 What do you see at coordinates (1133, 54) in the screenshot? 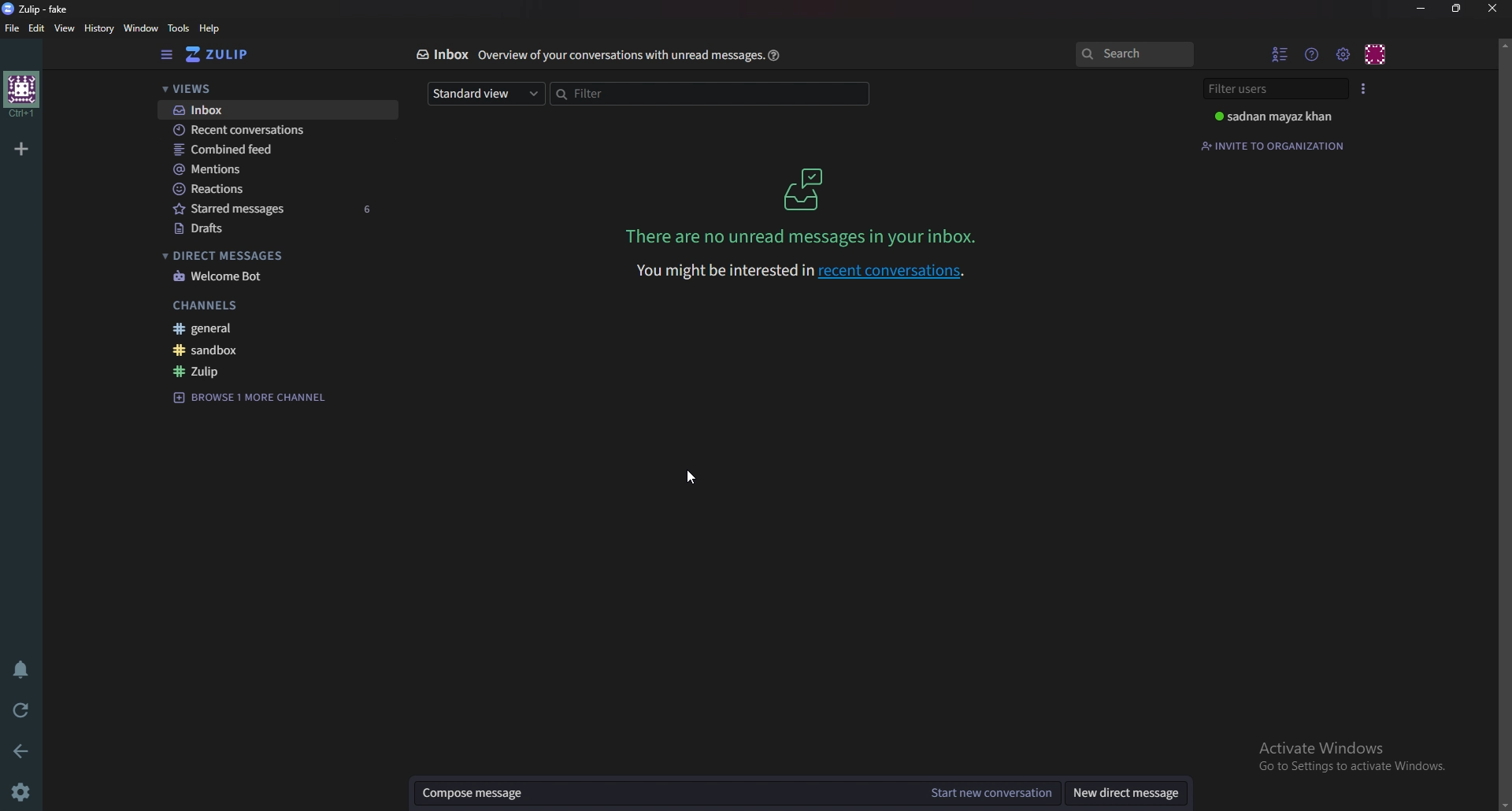
I see `search` at bounding box center [1133, 54].